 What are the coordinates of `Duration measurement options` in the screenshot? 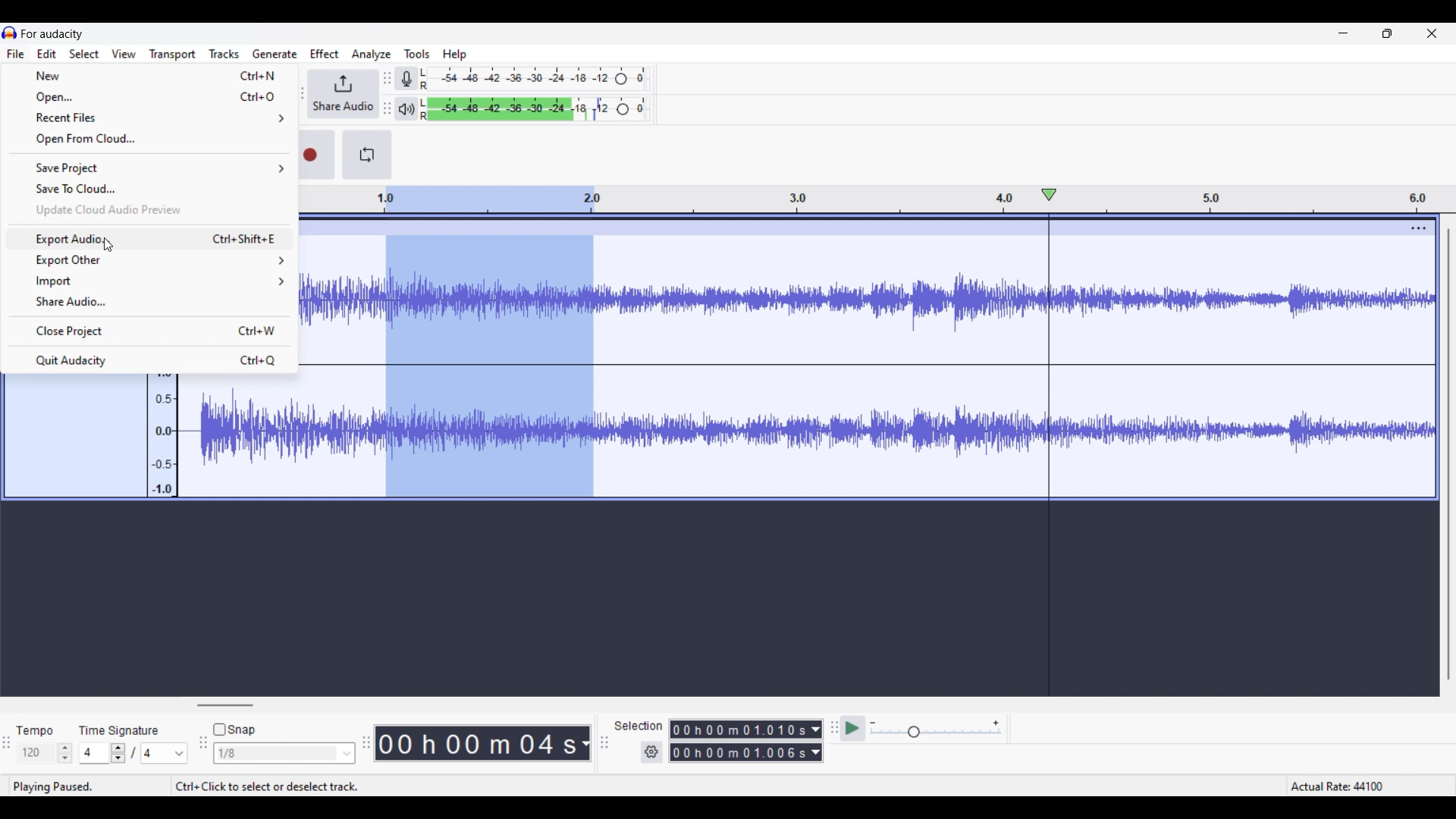 It's located at (816, 741).